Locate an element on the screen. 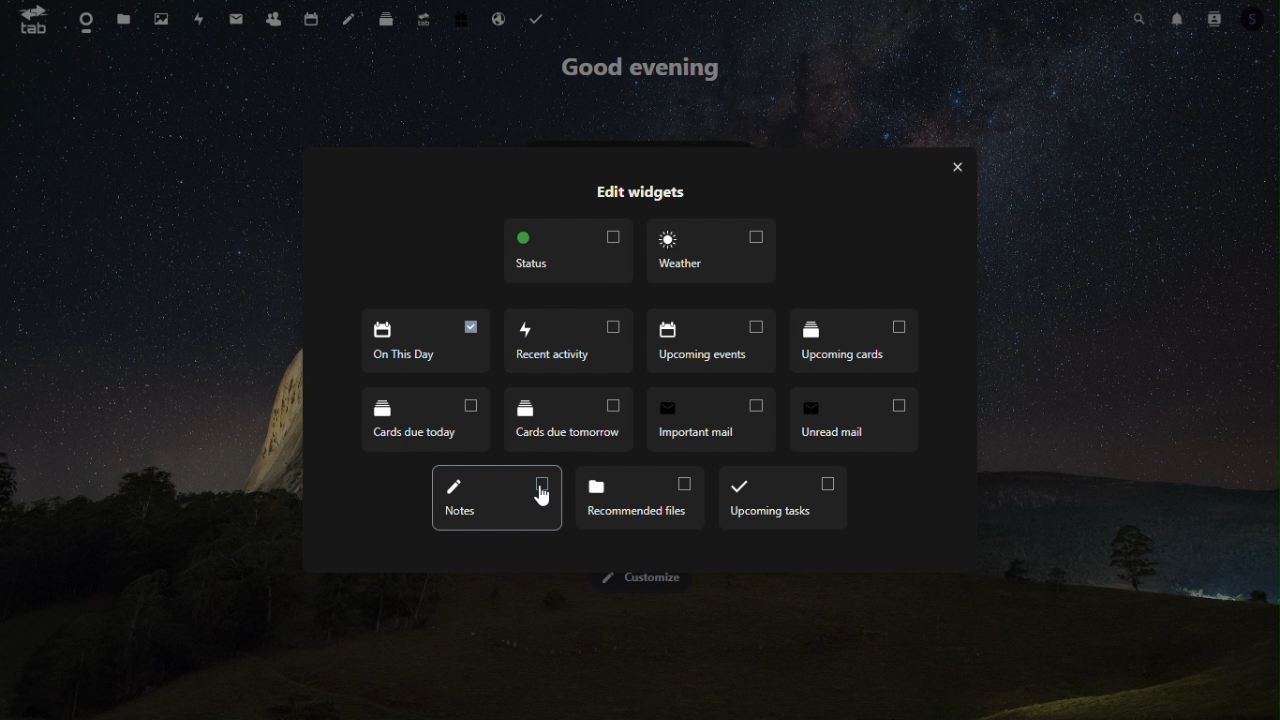  Photos is located at coordinates (164, 17).